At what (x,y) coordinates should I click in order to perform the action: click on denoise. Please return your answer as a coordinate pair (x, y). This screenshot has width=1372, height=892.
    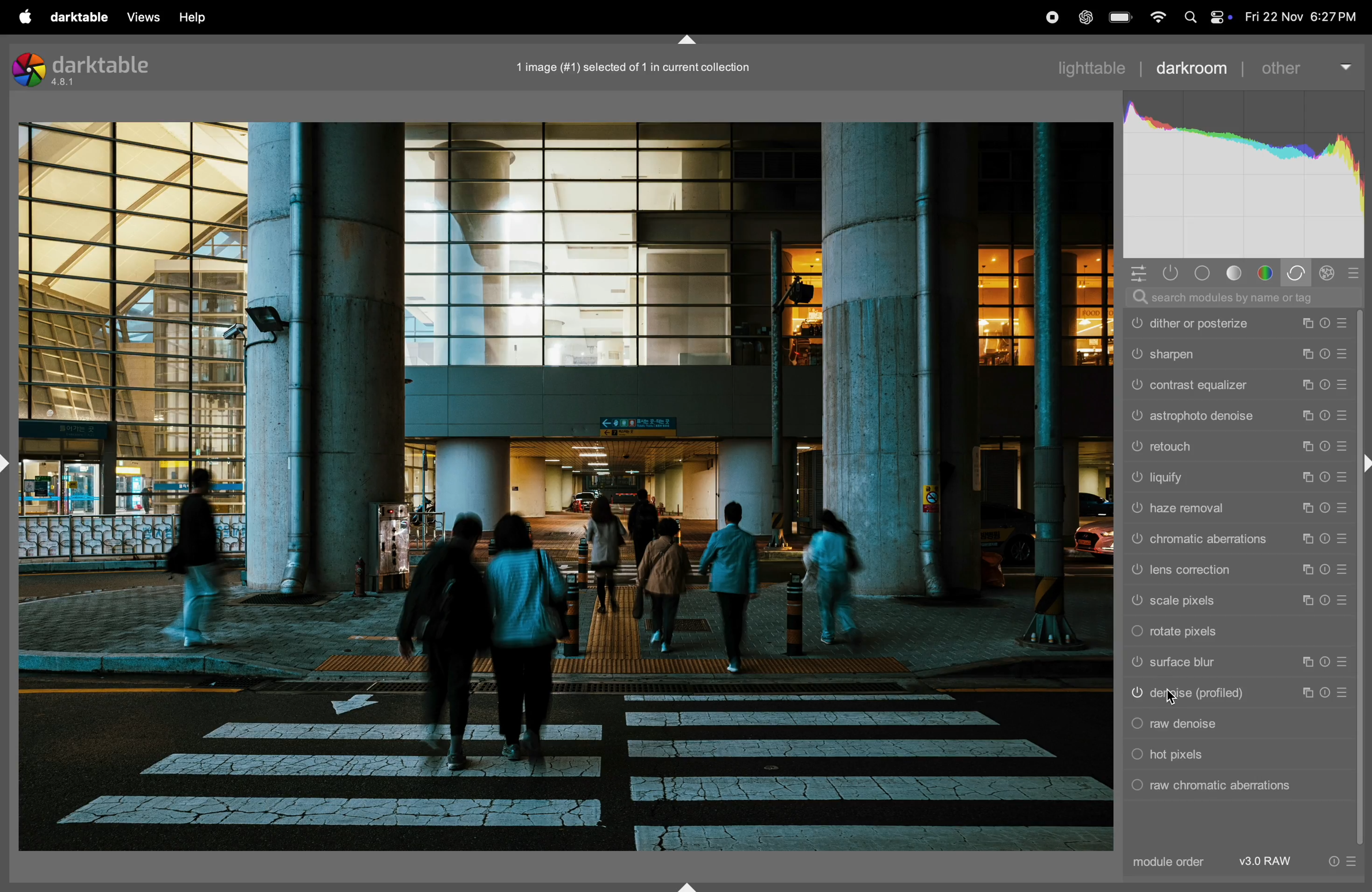
    Looking at the image, I should click on (1239, 693).